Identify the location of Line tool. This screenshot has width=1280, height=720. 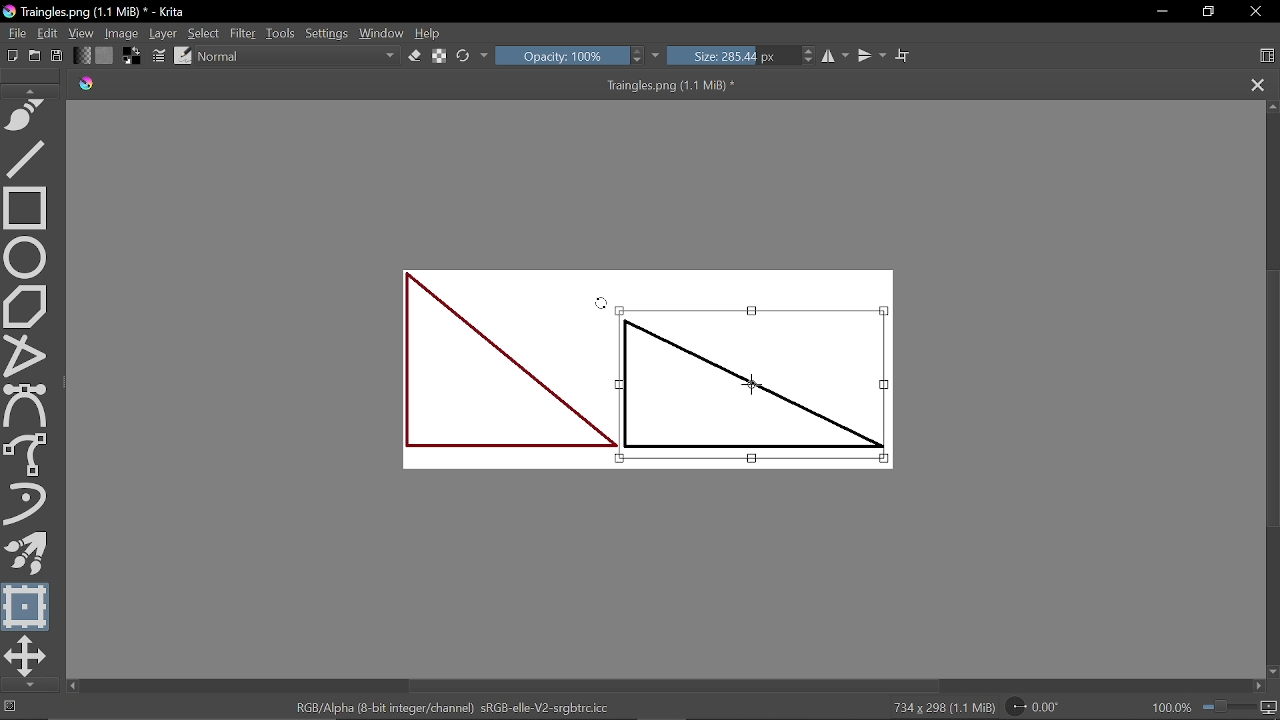
(30, 158).